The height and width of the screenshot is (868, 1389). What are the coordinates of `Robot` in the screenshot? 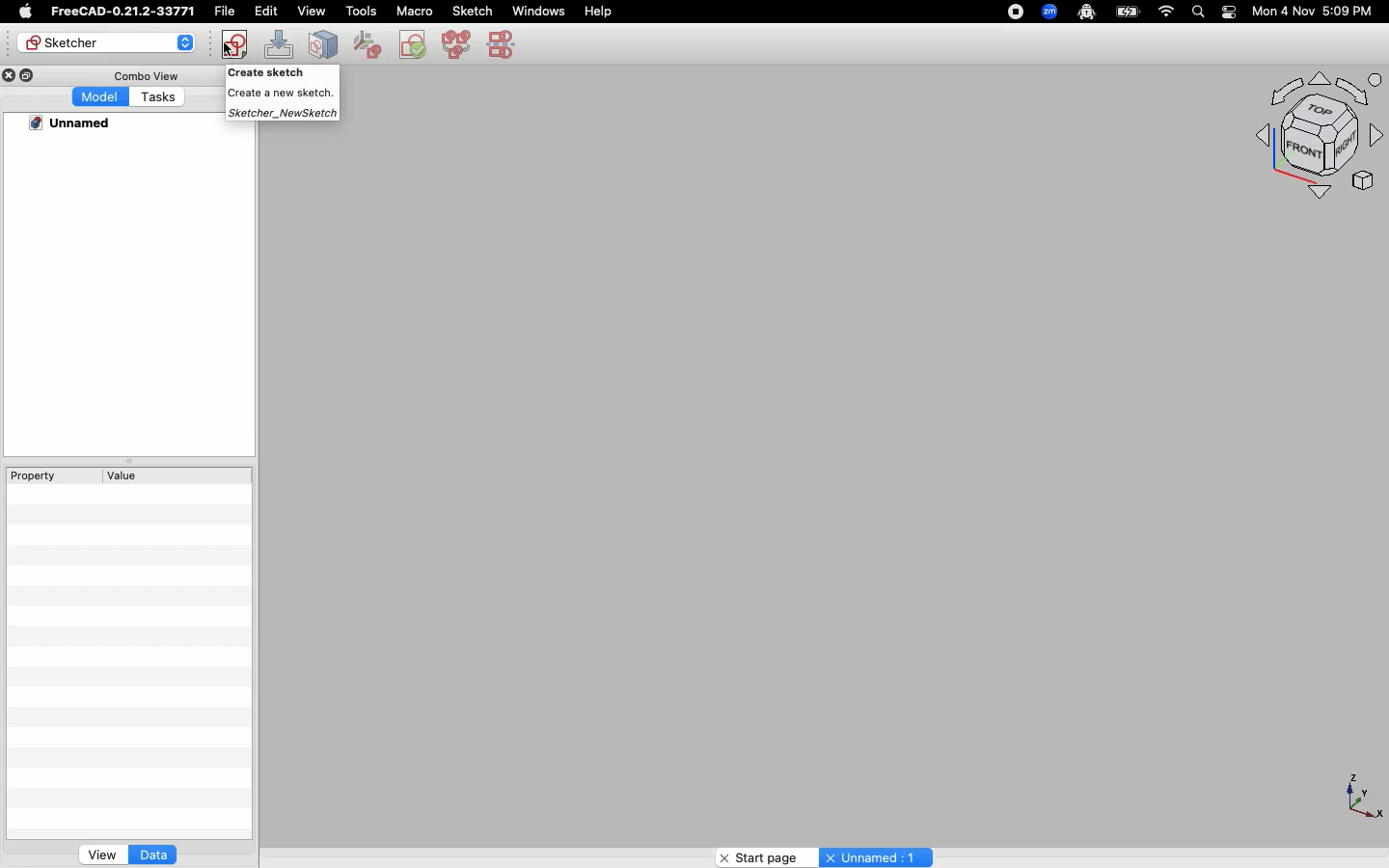 It's located at (1086, 14).